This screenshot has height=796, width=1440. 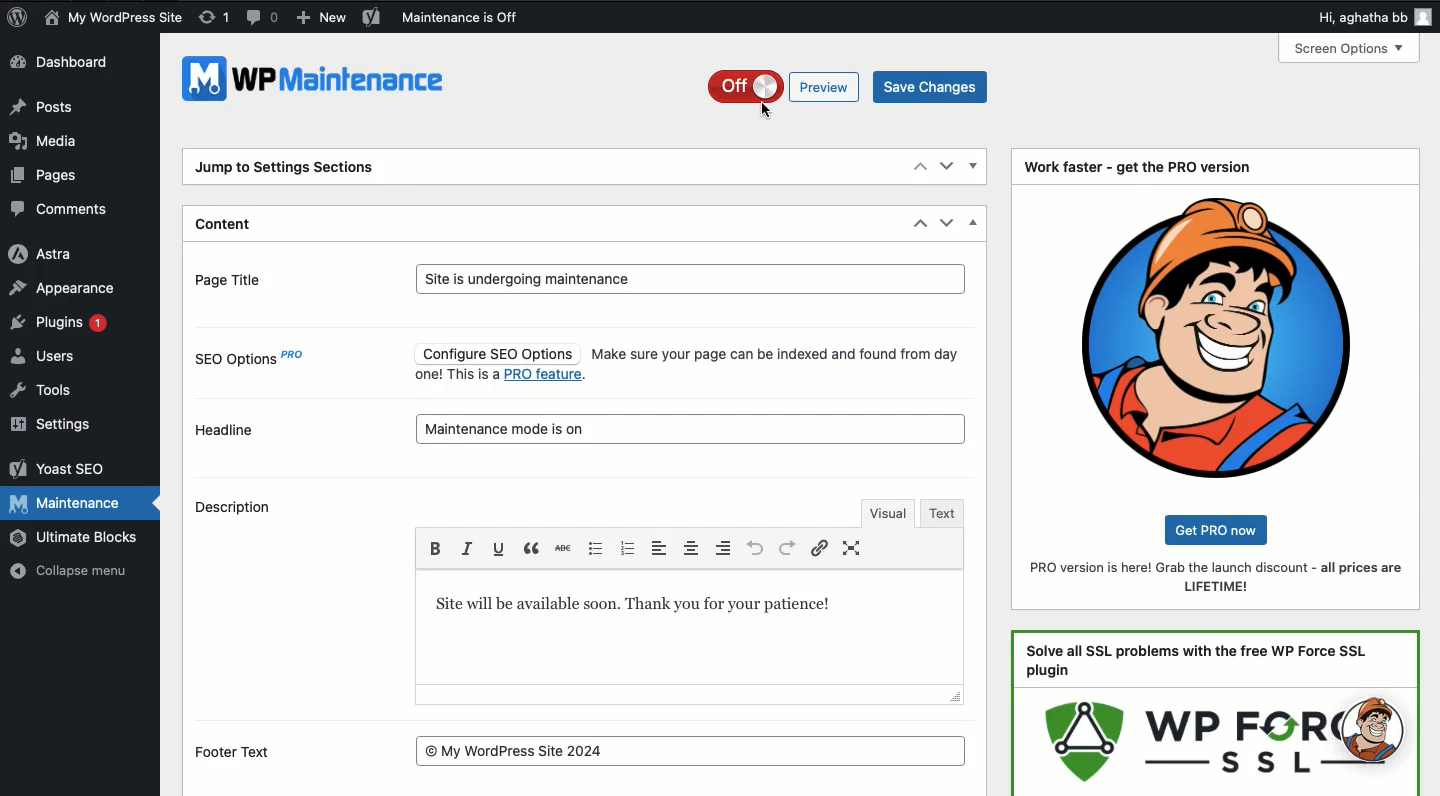 I want to click on Show, so click(x=975, y=167).